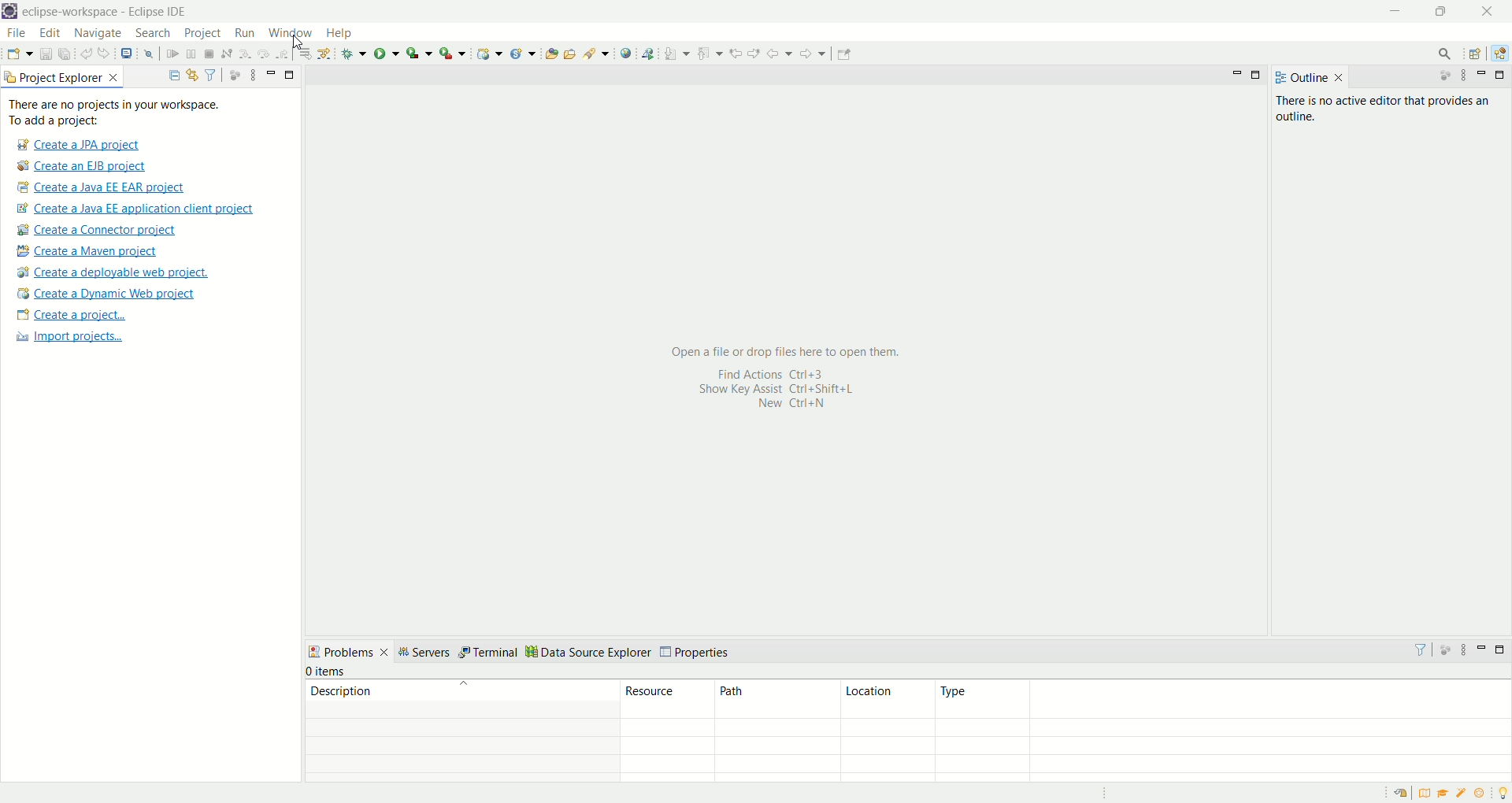 The height and width of the screenshot is (803, 1512). What do you see at coordinates (569, 52) in the screenshot?
I see `open task` at bounding box center [569, 52].